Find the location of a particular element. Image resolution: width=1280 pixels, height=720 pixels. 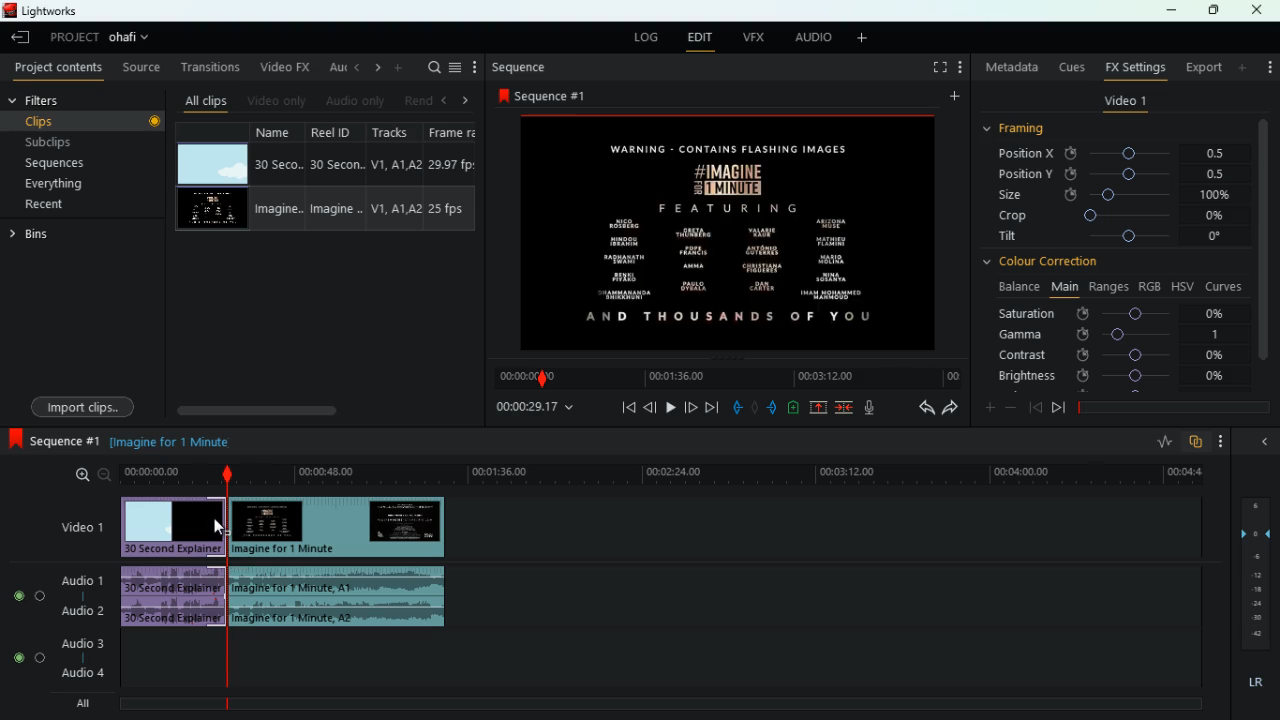

maximize is located at coordinates (1215, 10).